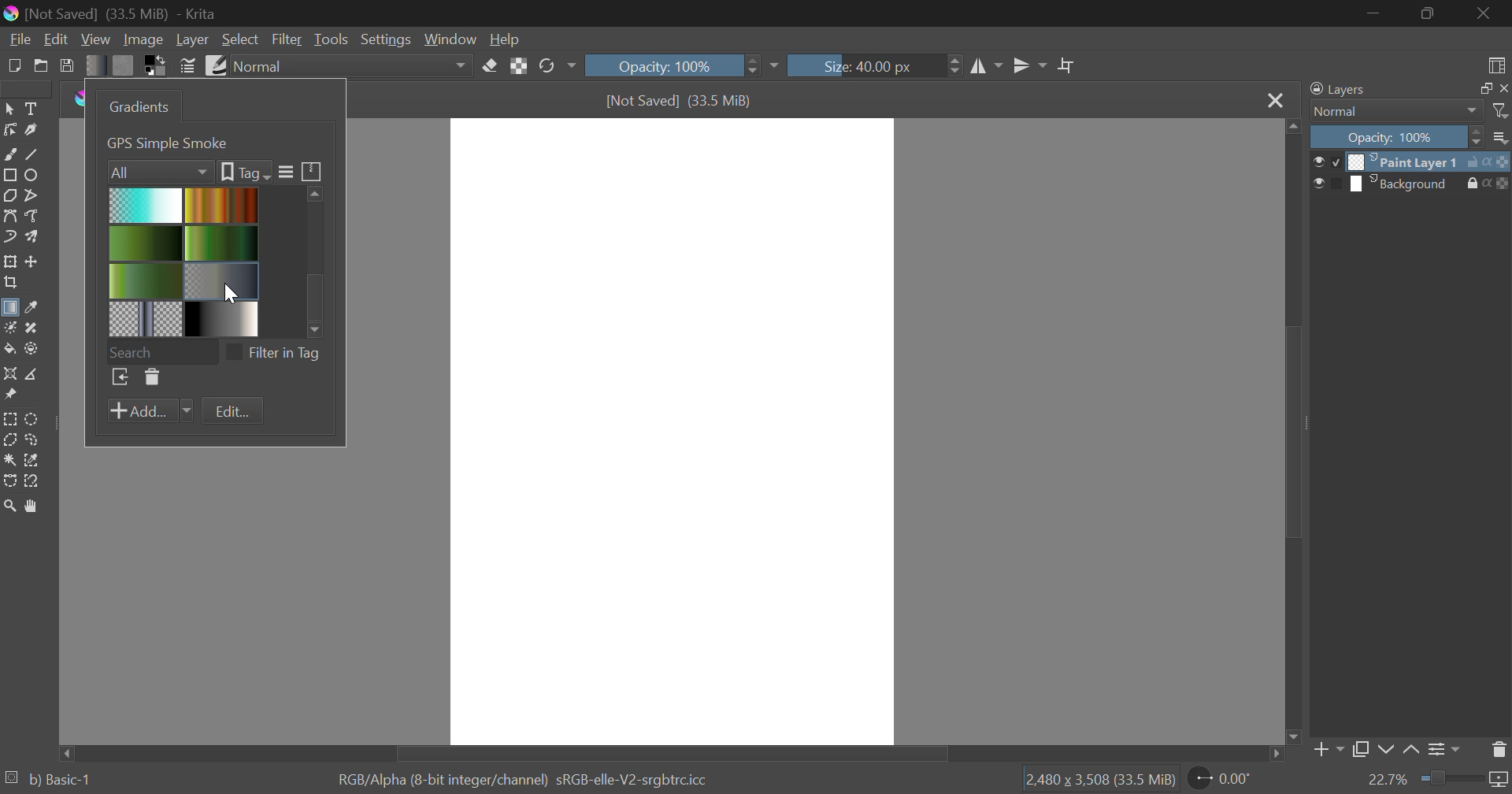 The image size is (1512, 794). What do you see at coordinates (32, 440) in the screenshot?
I see `Freehand Selection` at bounding box center [32, 440].